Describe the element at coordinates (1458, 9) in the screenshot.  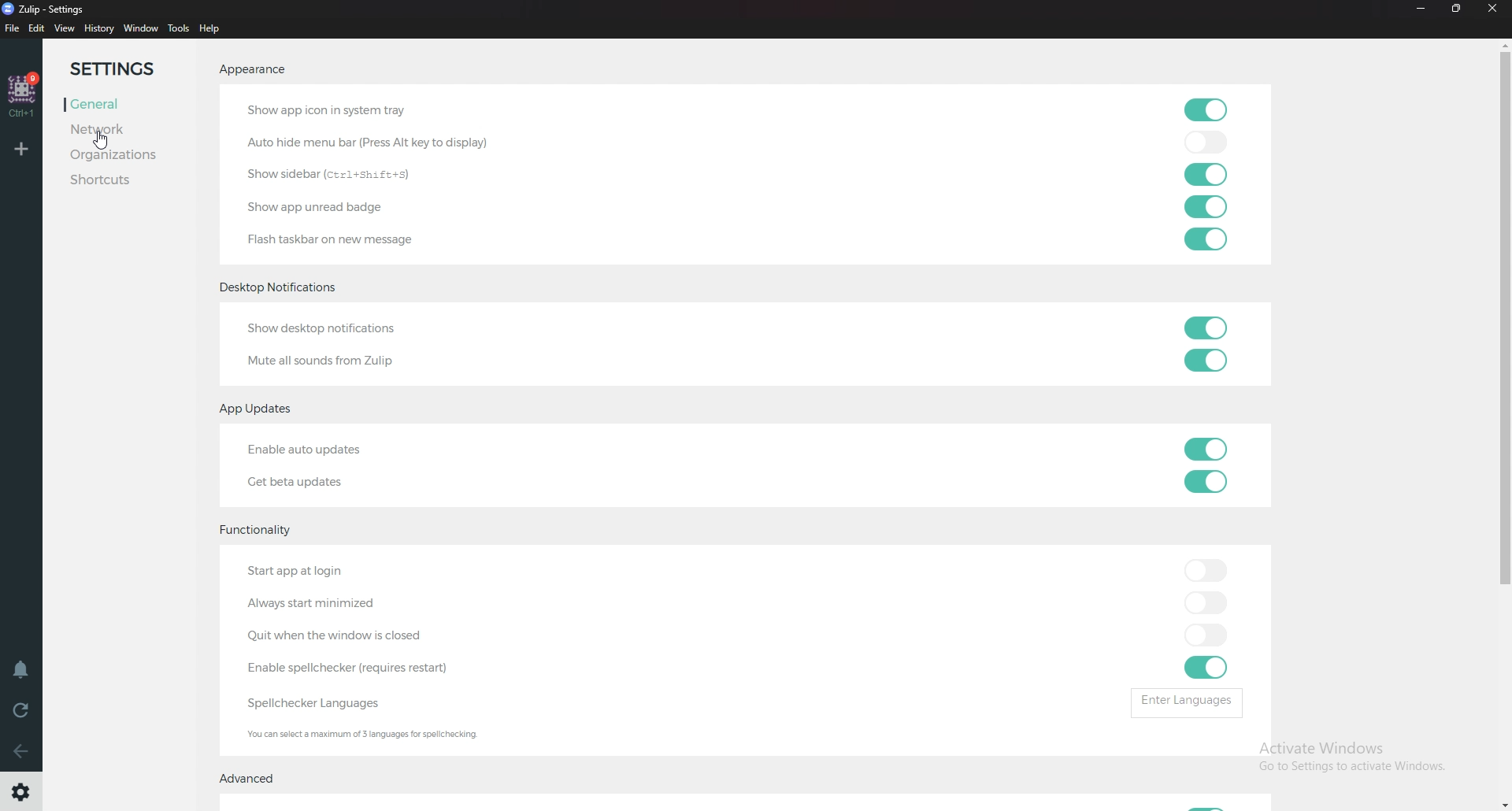
I see `resize` at that location.